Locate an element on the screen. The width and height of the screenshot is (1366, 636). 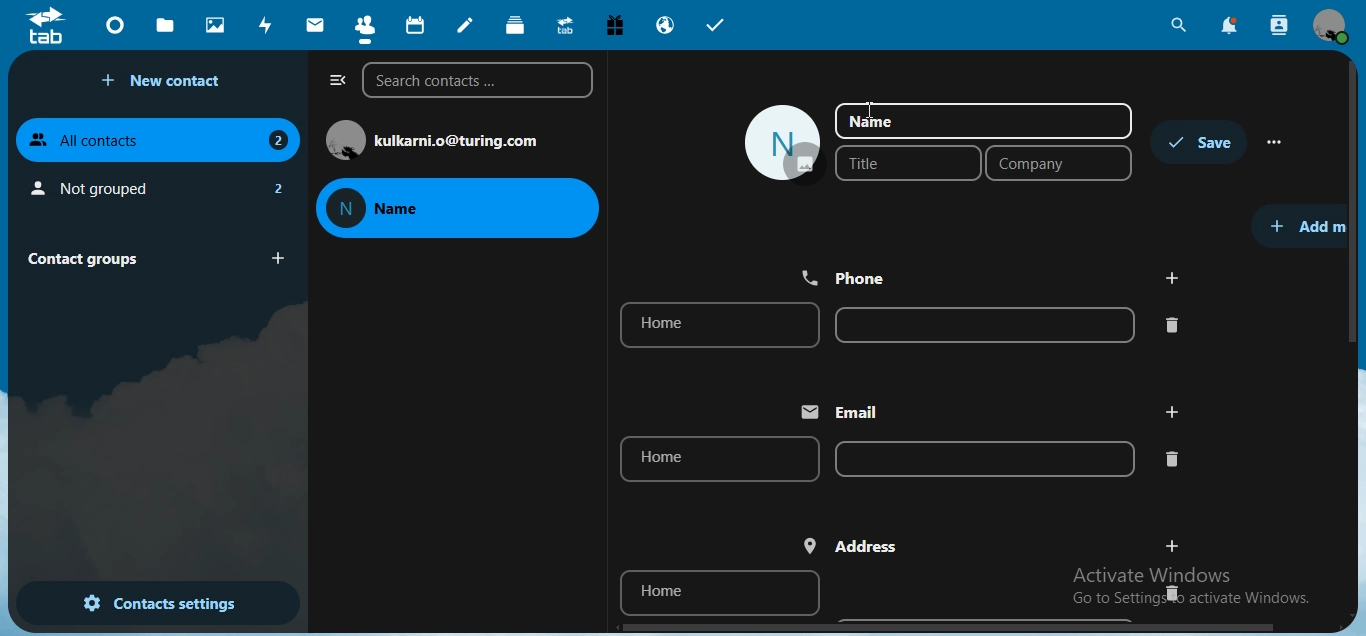
calendar is located at coordinates (413, 23).